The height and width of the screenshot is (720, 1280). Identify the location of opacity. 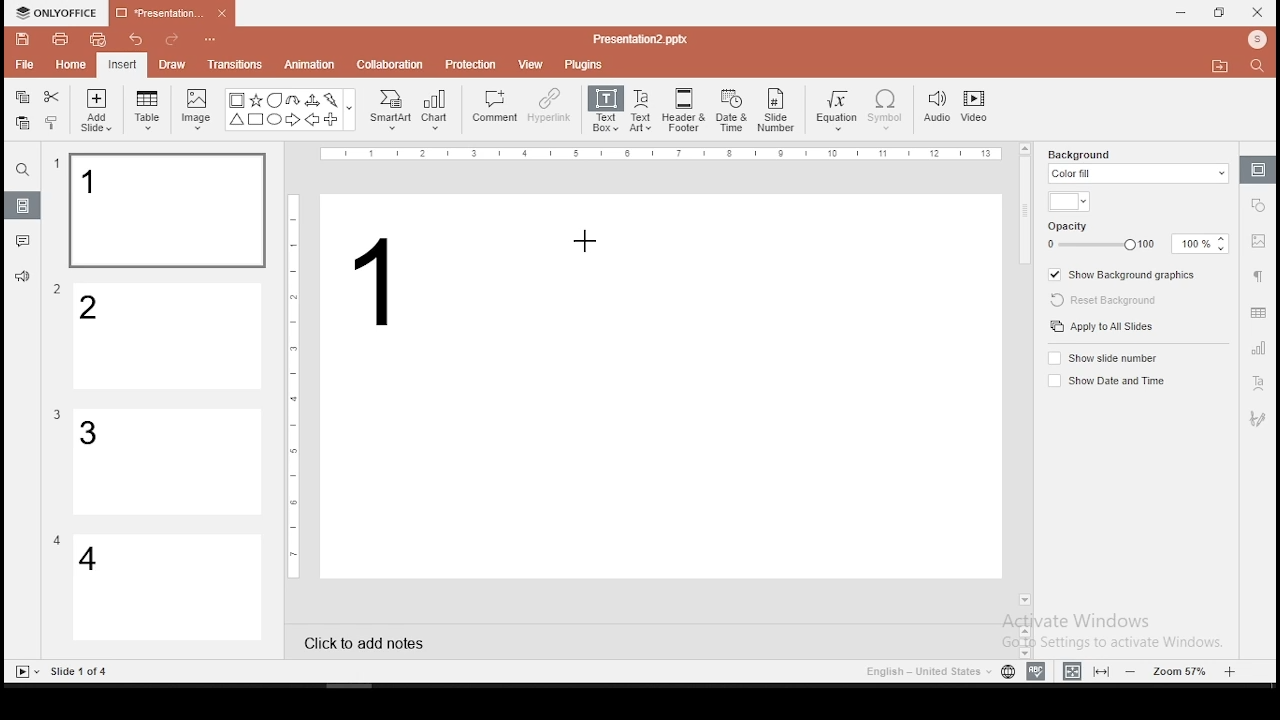
(1138, 237).